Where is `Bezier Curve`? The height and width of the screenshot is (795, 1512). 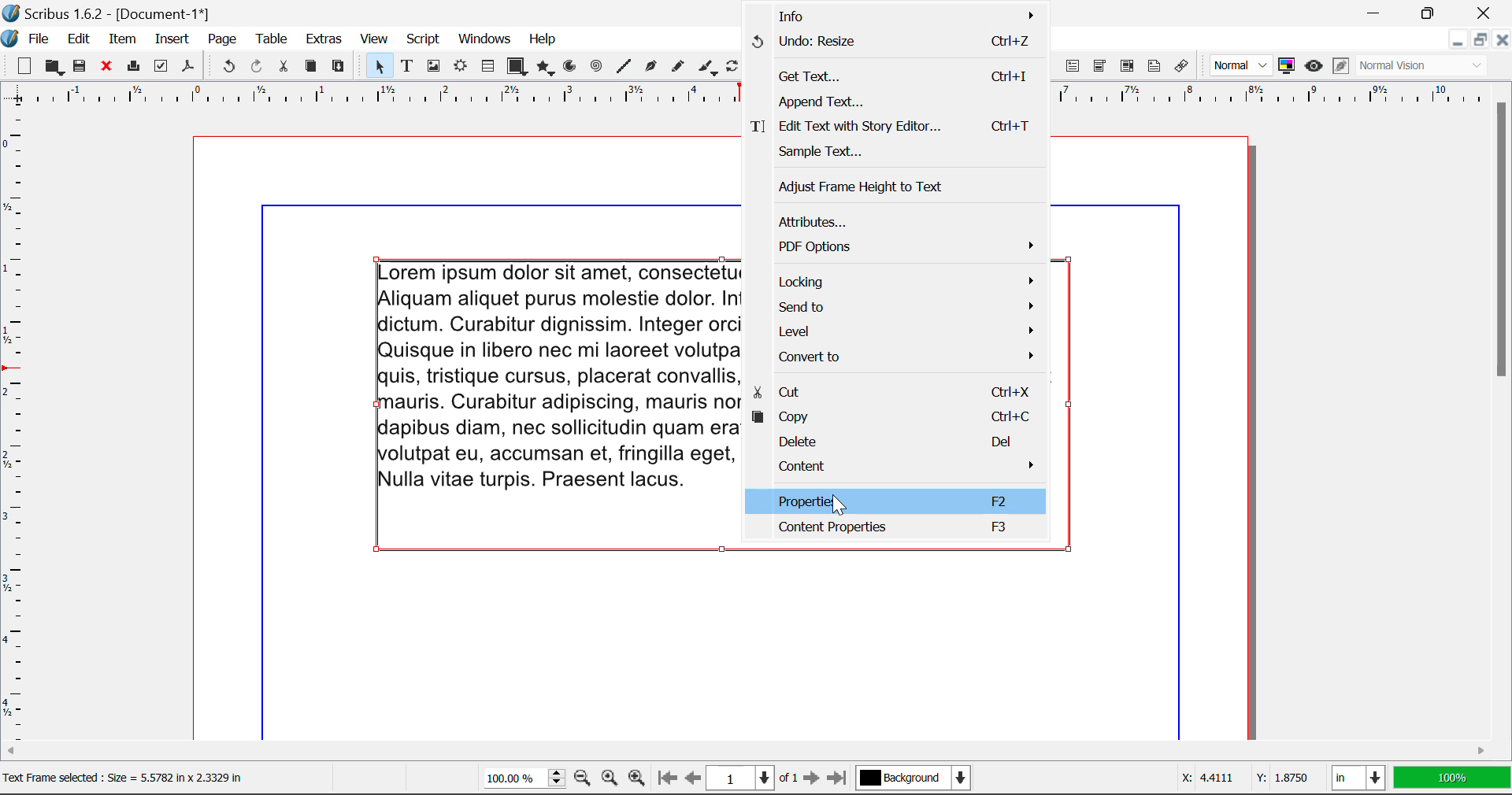
Bezier Curve is located at coordinates (651, 68).